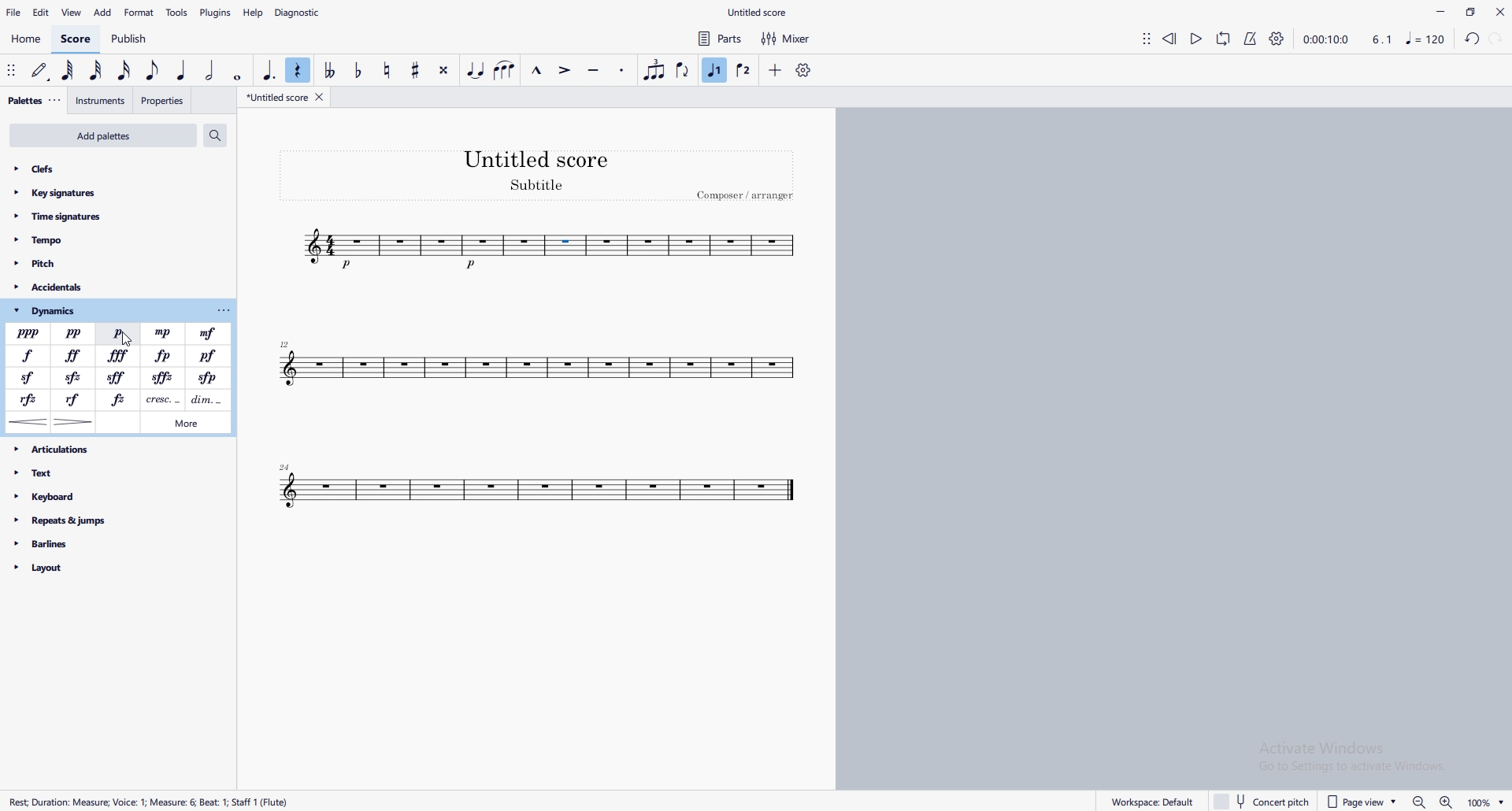  Describe the element at coordinates (655, 70) in the screenshot. I see `tuplet` at that location.